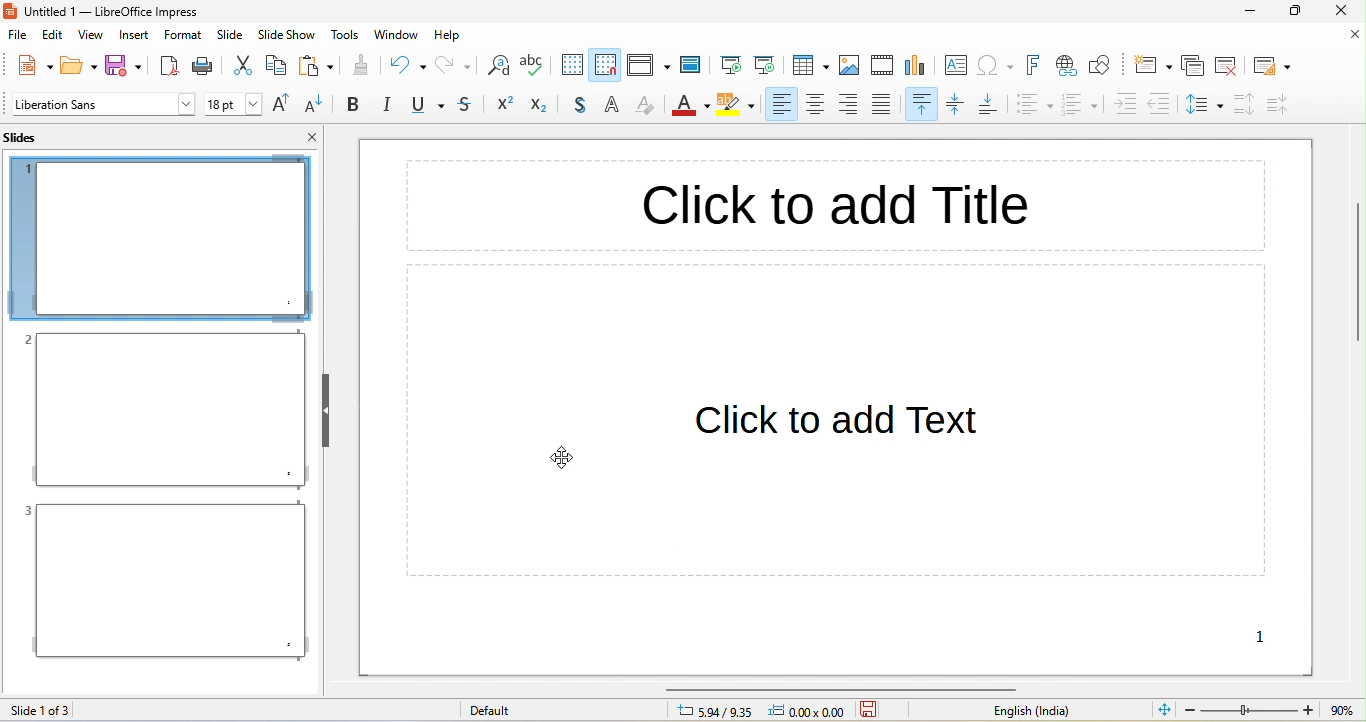 The width and height of the screenshot is (1366, 722). I want to click on click to save the document, so click(870, 712).